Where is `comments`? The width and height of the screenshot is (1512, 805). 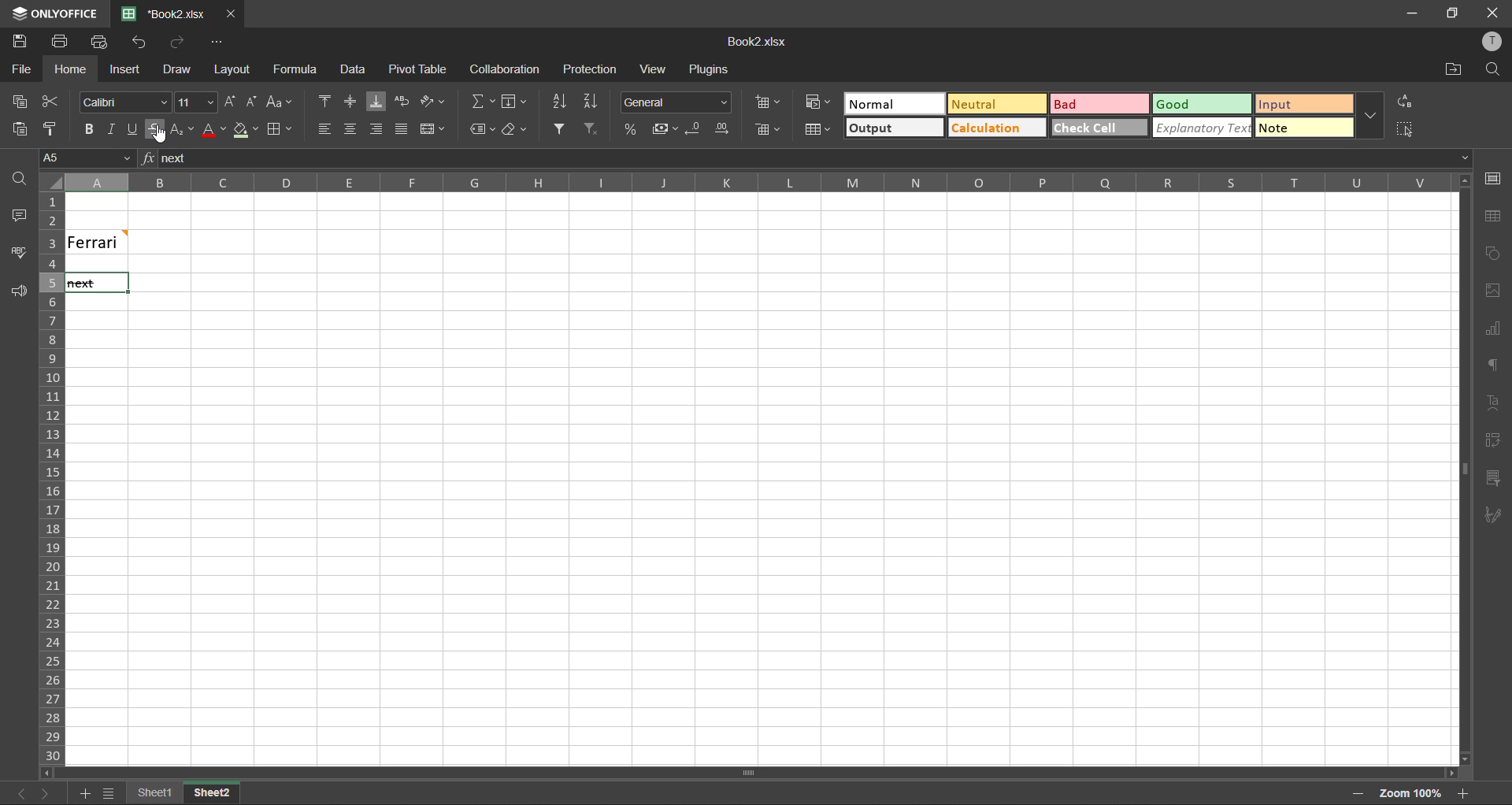
comments is located at coordinates (17, 216).